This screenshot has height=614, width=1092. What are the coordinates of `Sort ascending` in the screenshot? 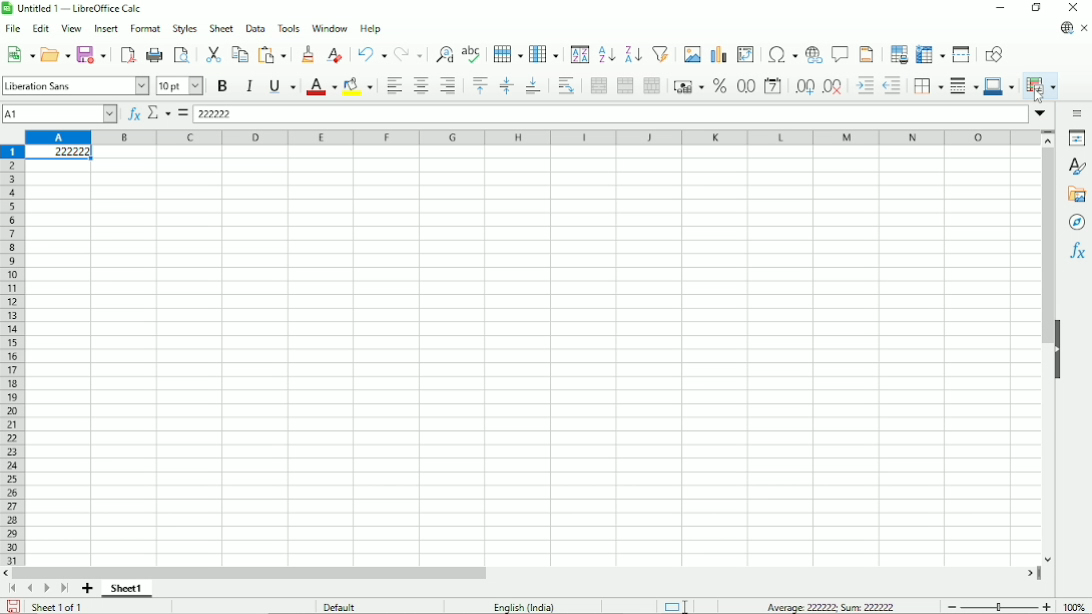 It's located at (606, 54).